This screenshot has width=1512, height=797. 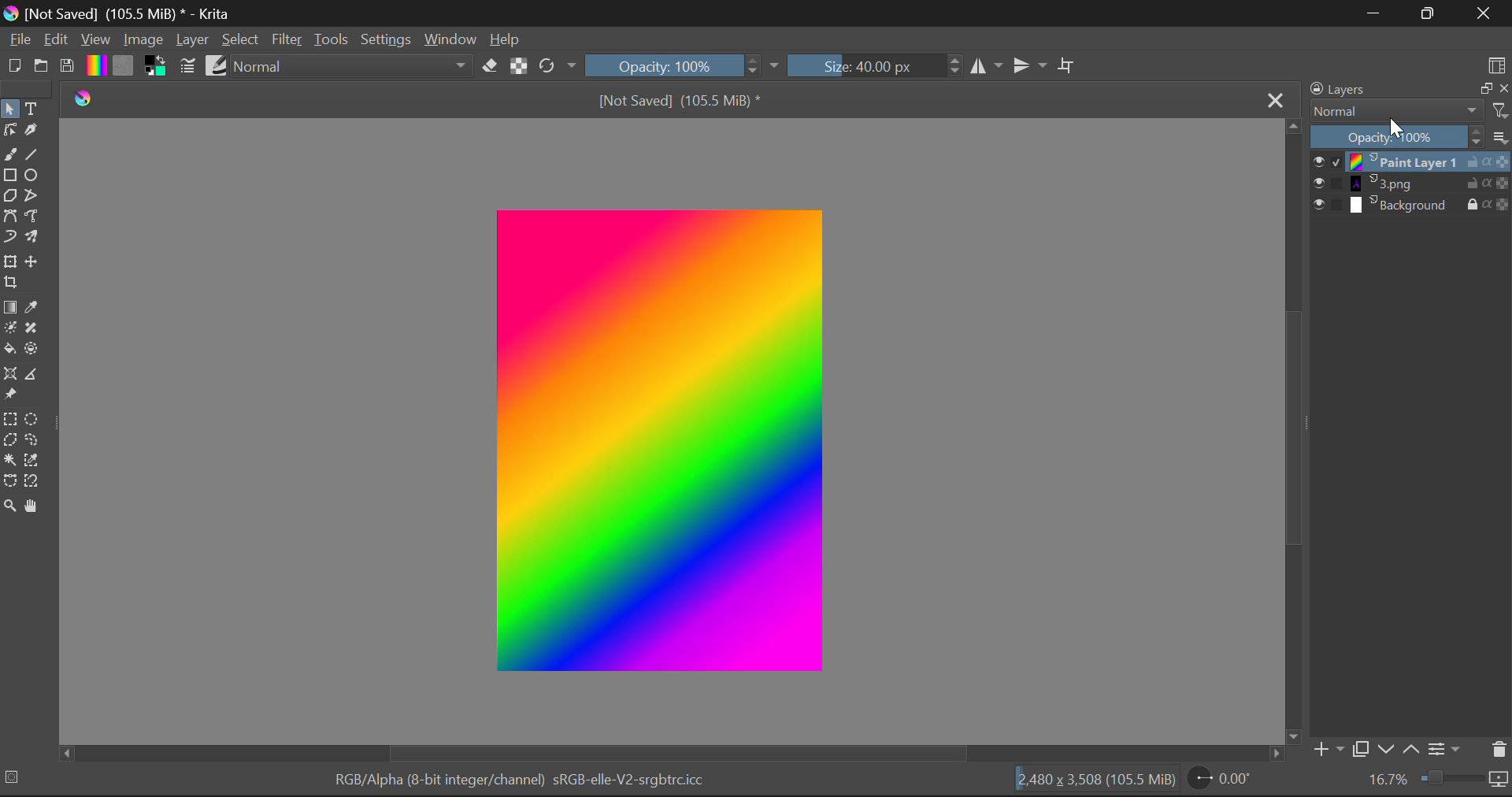 I want to click on Calligraphic Tool, so click(x=36, y=130).